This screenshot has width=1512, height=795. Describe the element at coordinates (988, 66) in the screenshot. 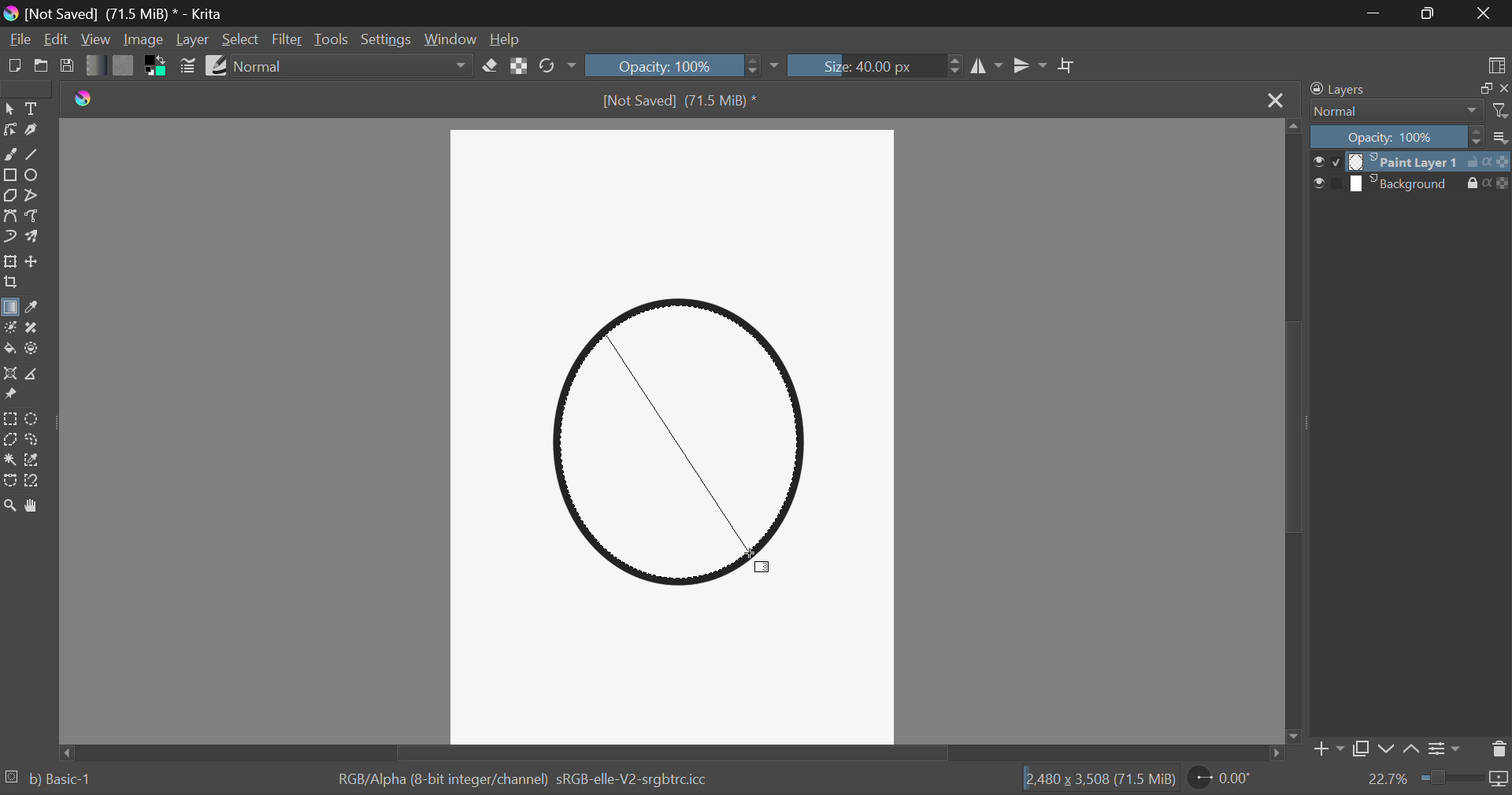

I see `Vertical Mirror Flip` at that location.